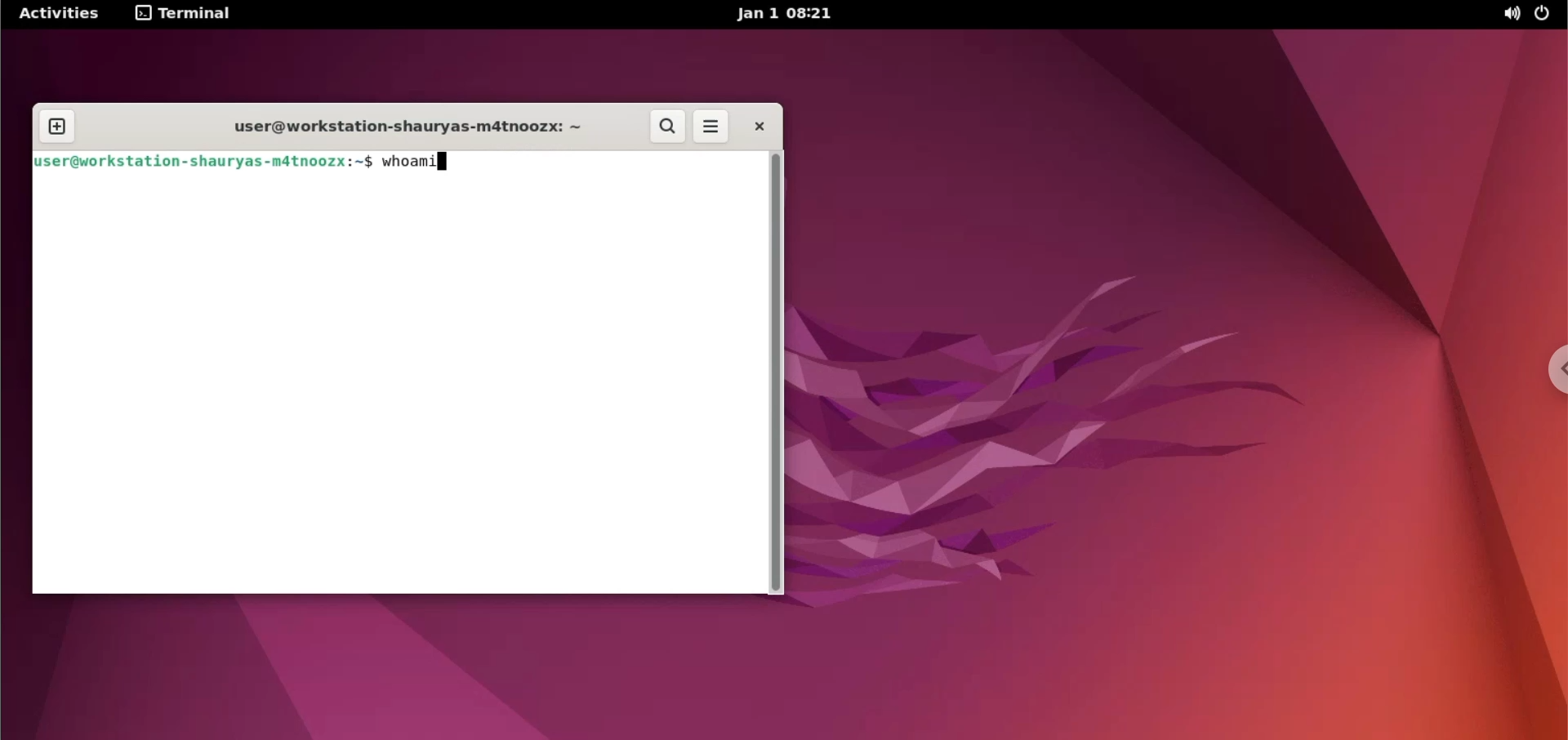  I want to click on power options, so click(1546, 15).